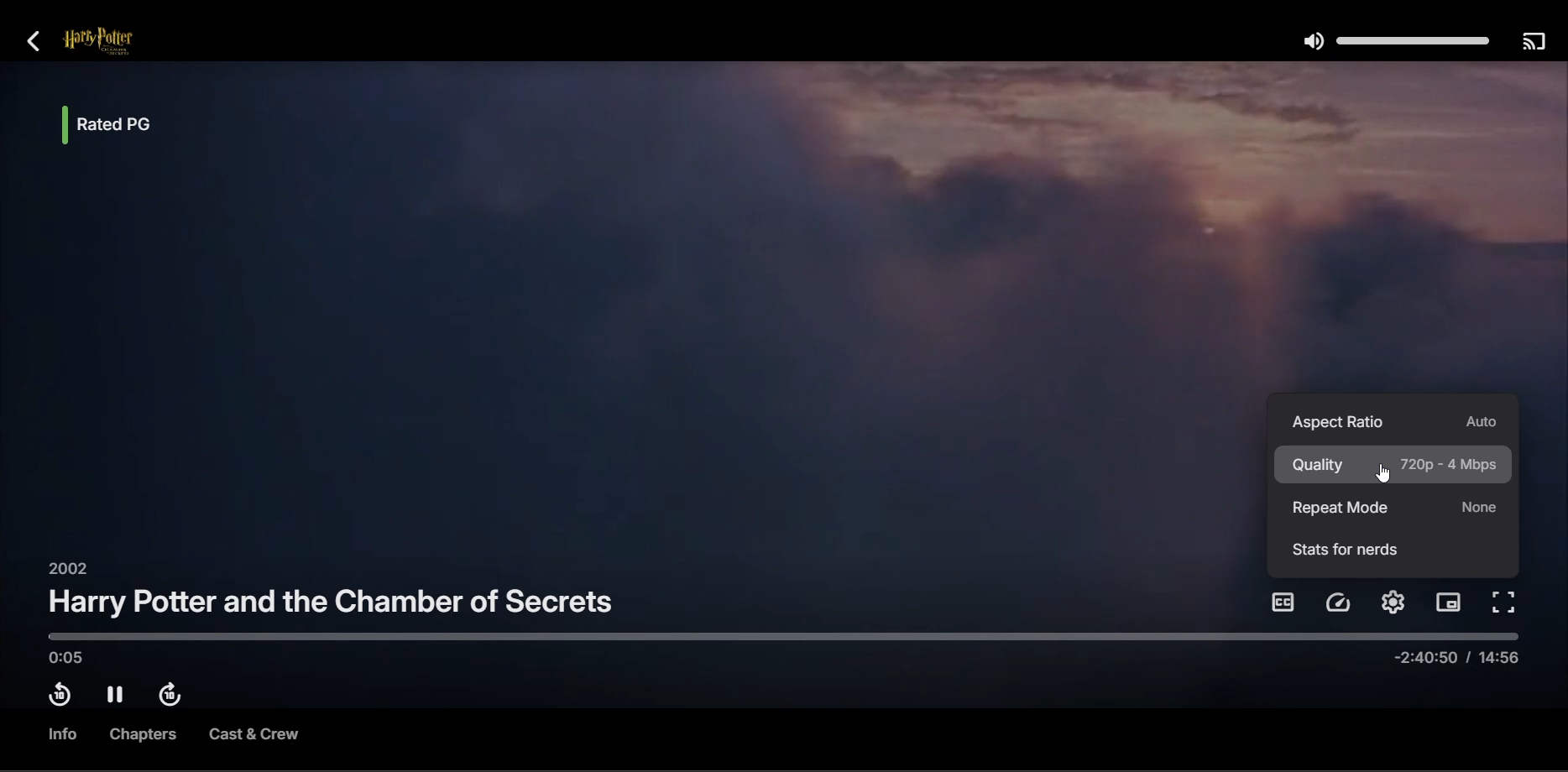 The width and height of the screenshot is (1568, 772). I want to click on Subtitles, so click(1283, 602).